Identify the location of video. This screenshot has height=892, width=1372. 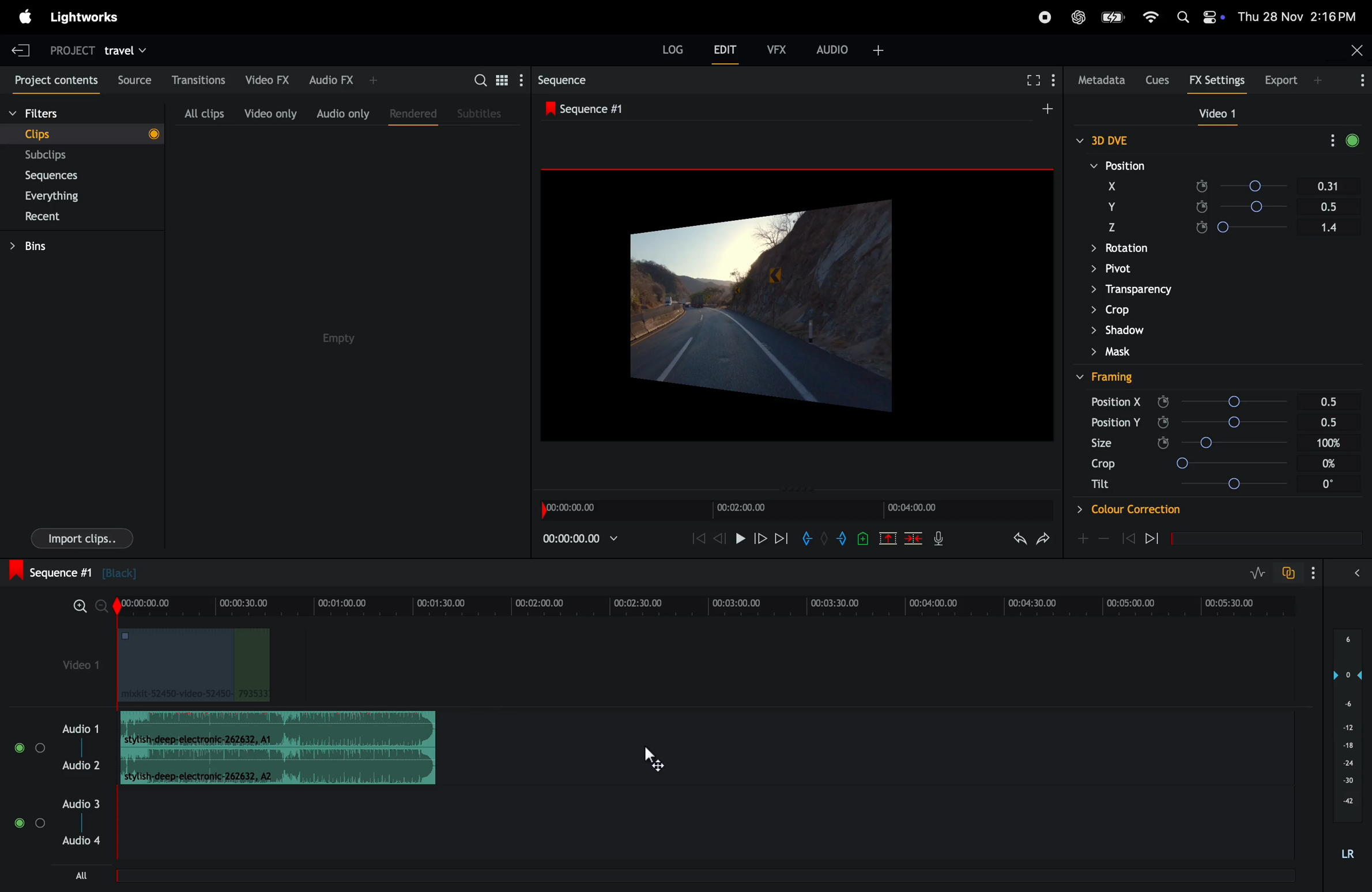
(1212, 114).